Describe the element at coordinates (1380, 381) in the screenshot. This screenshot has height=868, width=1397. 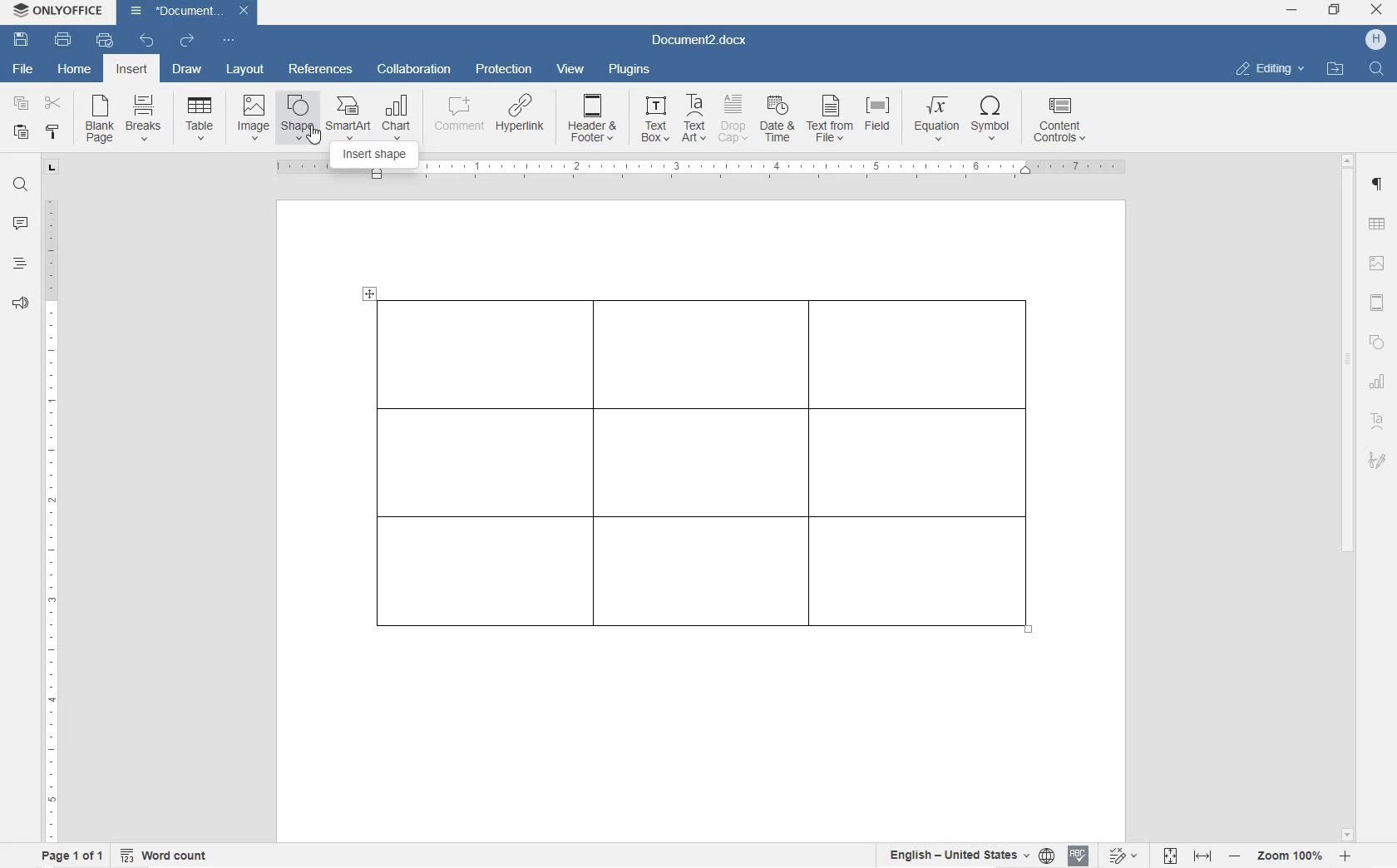
I see `chart` at that location.